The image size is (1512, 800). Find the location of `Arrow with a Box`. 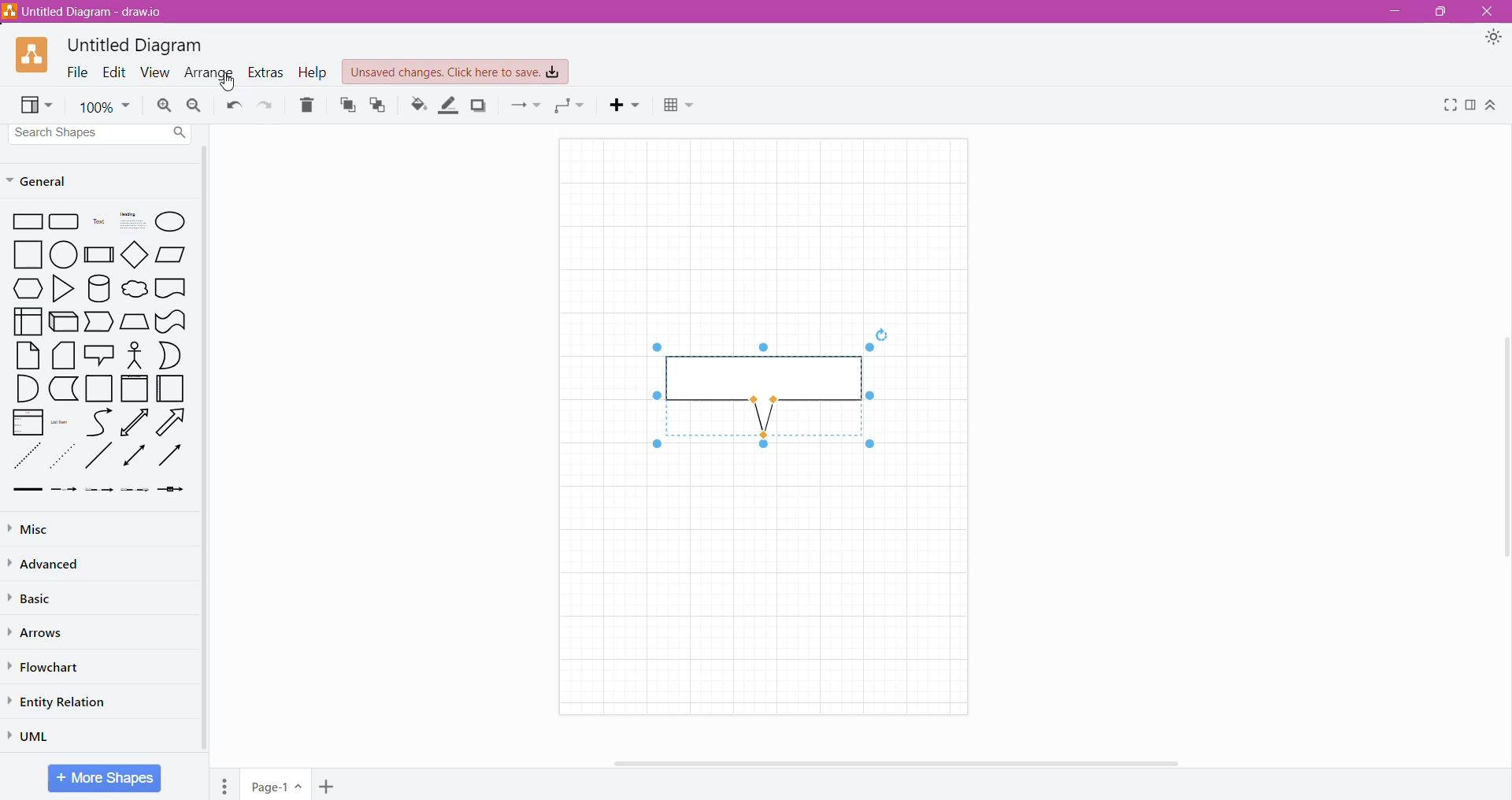

Arrow with a Box is located at coordinates (172, 490).